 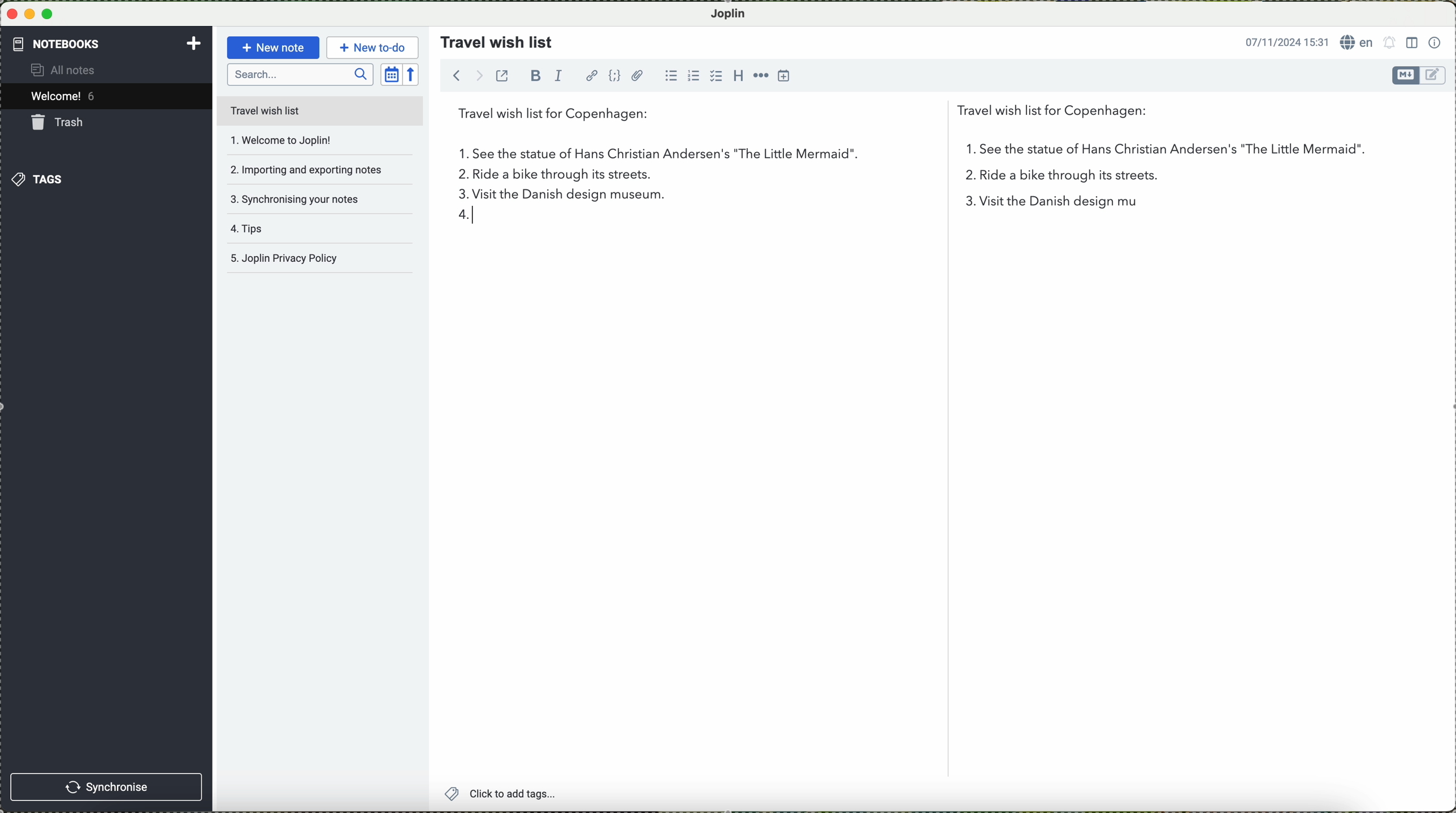 What do you see at coordinates (674, 76) in the screenshot?
I see `bulleted list` at bounding box center [674, 76].